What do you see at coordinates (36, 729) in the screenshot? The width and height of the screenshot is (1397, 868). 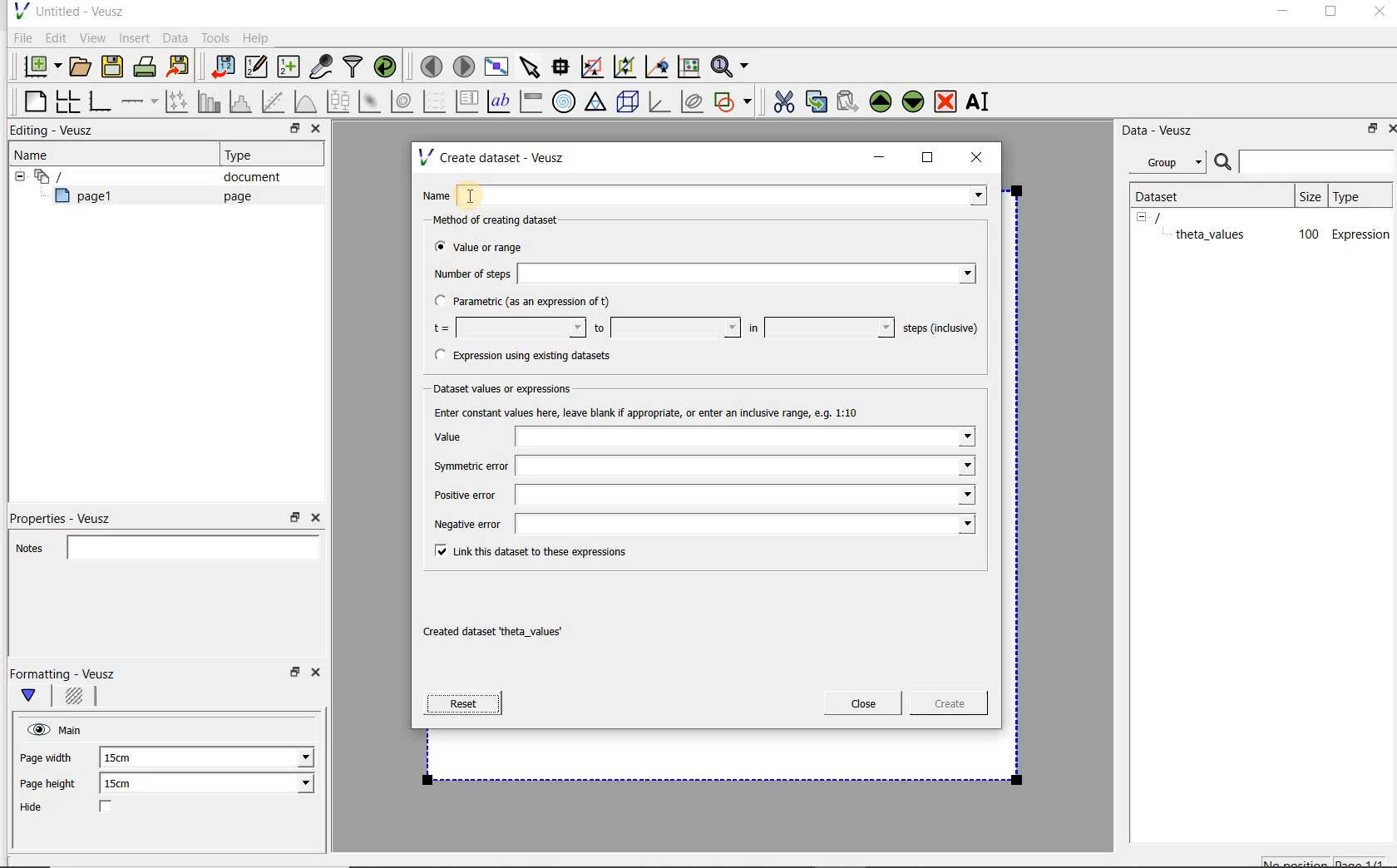 I see `visible (click to hide, set Hide to true)` at bounding box center [36, 729].